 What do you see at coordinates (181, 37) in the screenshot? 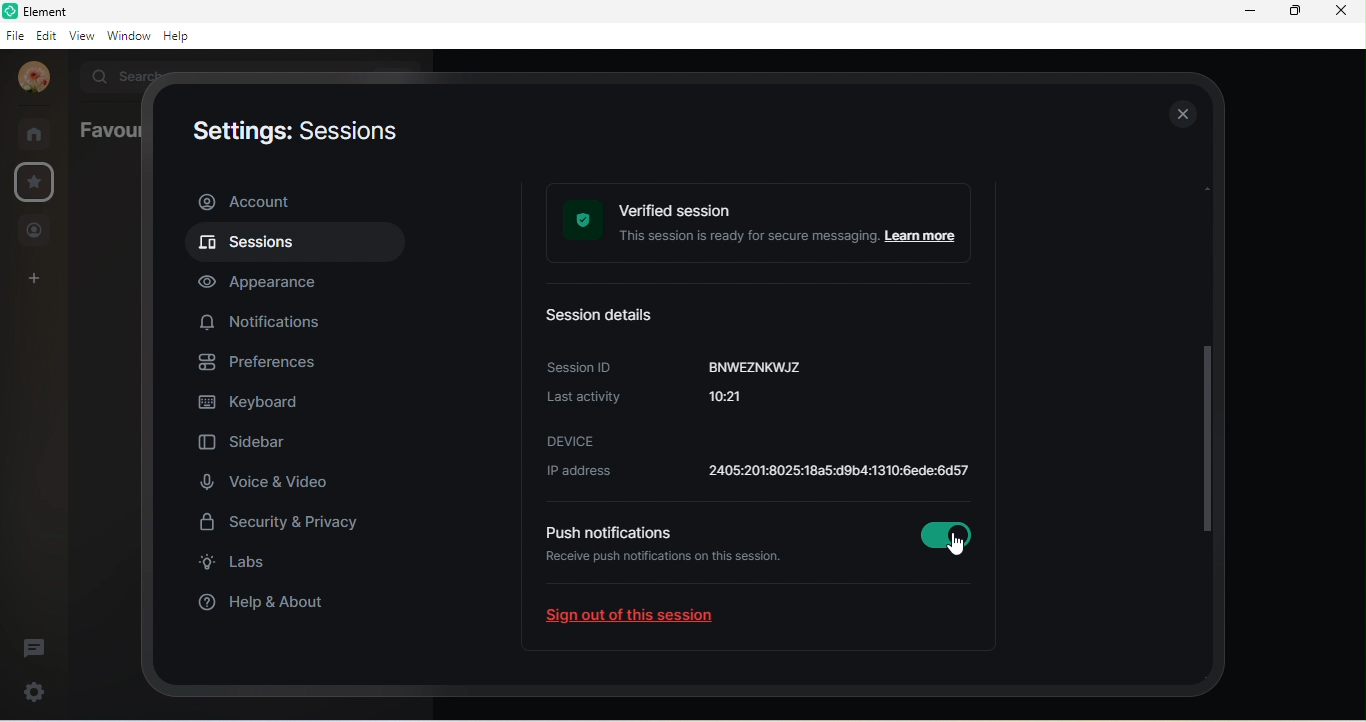
I see `help` at bounding box center [181, 37].